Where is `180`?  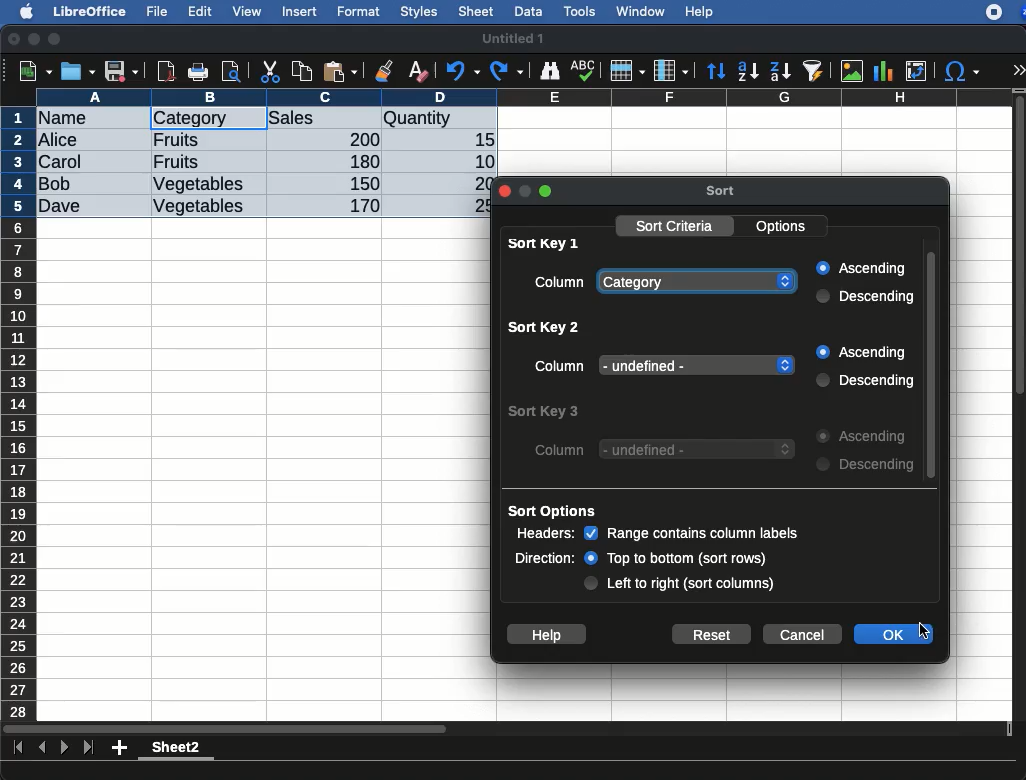
180 is located at coordinates (357, 162).